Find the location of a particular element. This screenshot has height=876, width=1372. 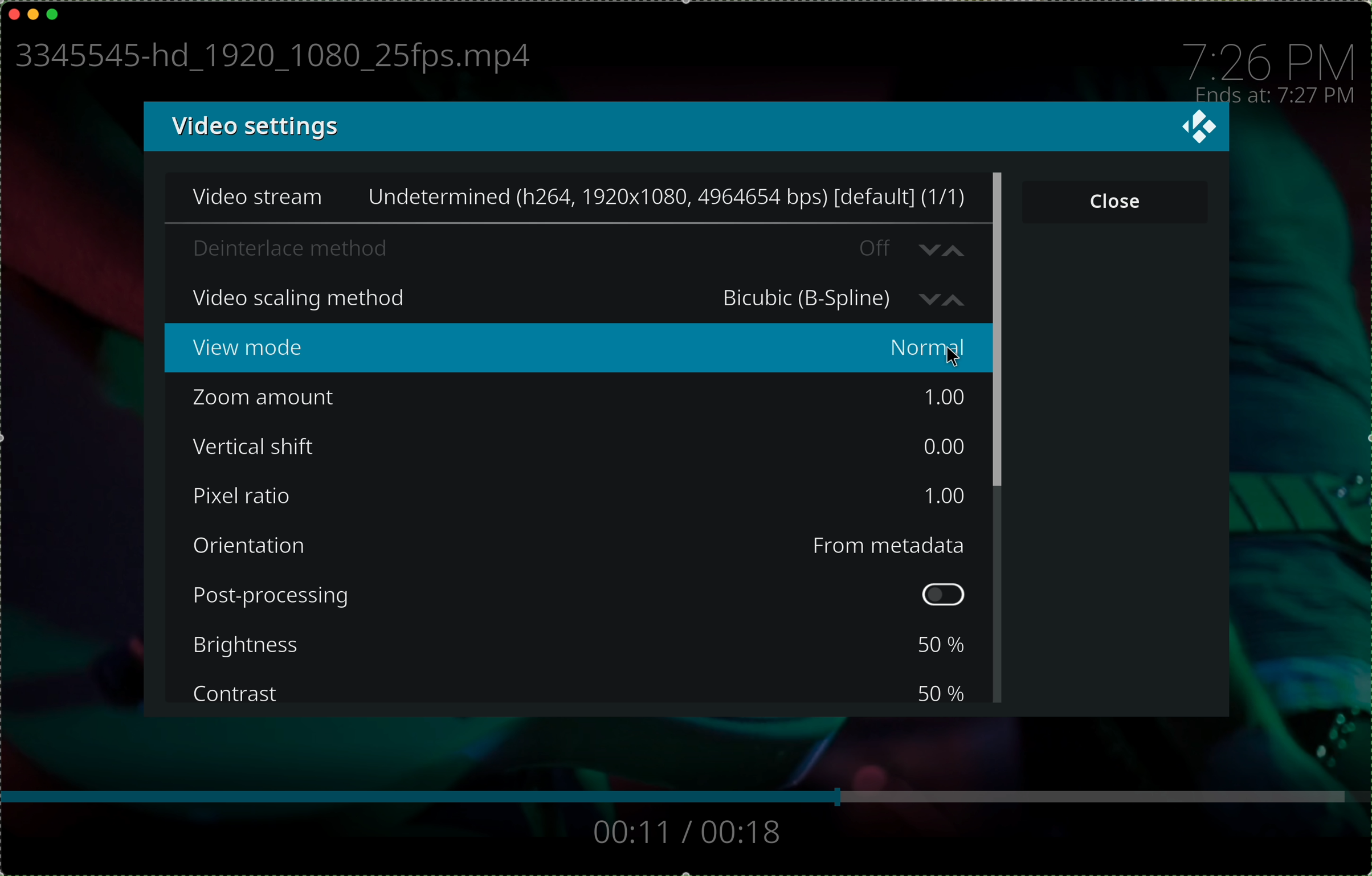

video settings is located at coordinates (252, 126).